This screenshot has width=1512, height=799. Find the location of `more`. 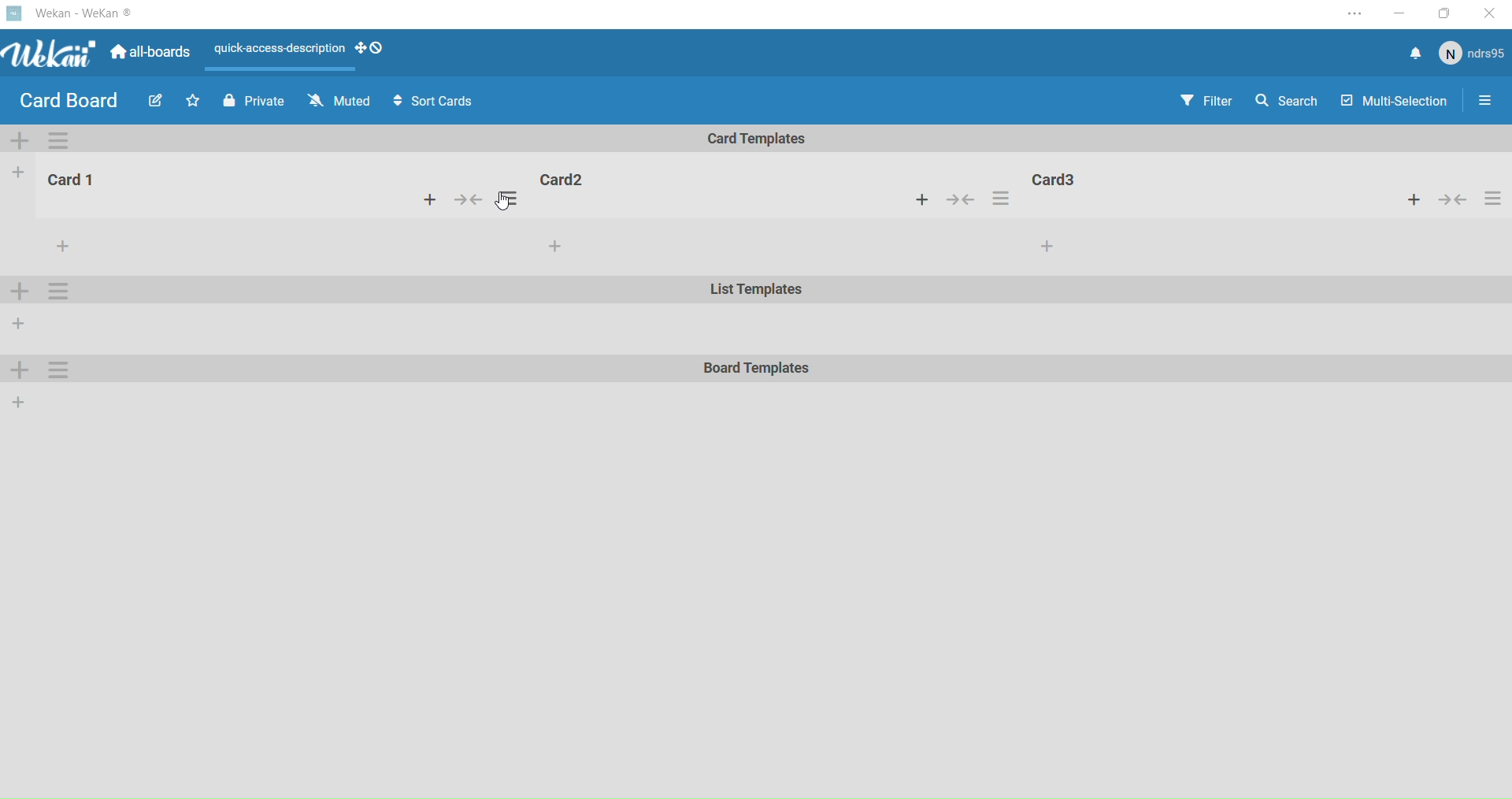

more is located at coordinates (58, 243).